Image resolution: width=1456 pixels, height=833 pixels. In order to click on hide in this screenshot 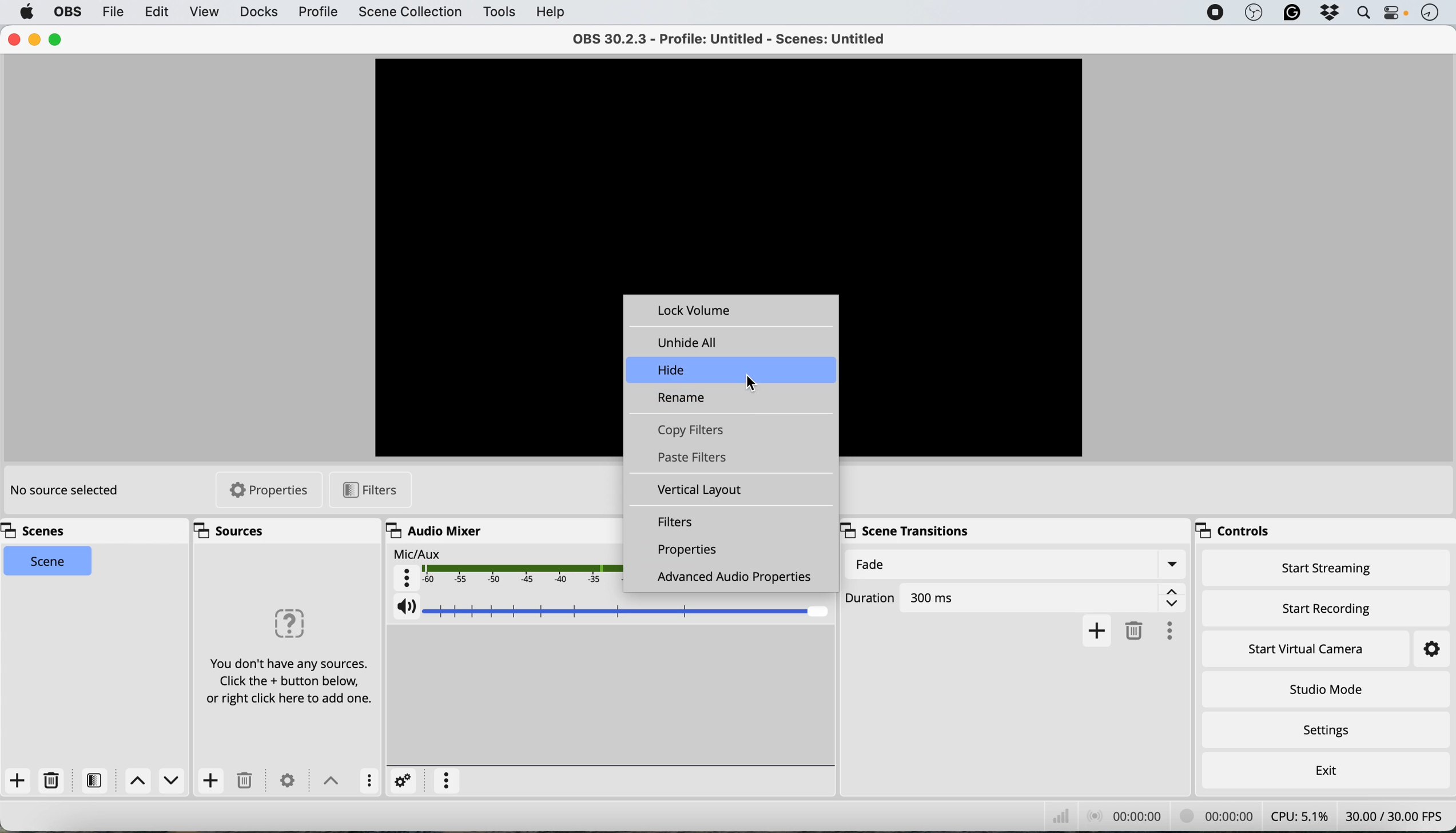, I will do `click(673, 370)`.